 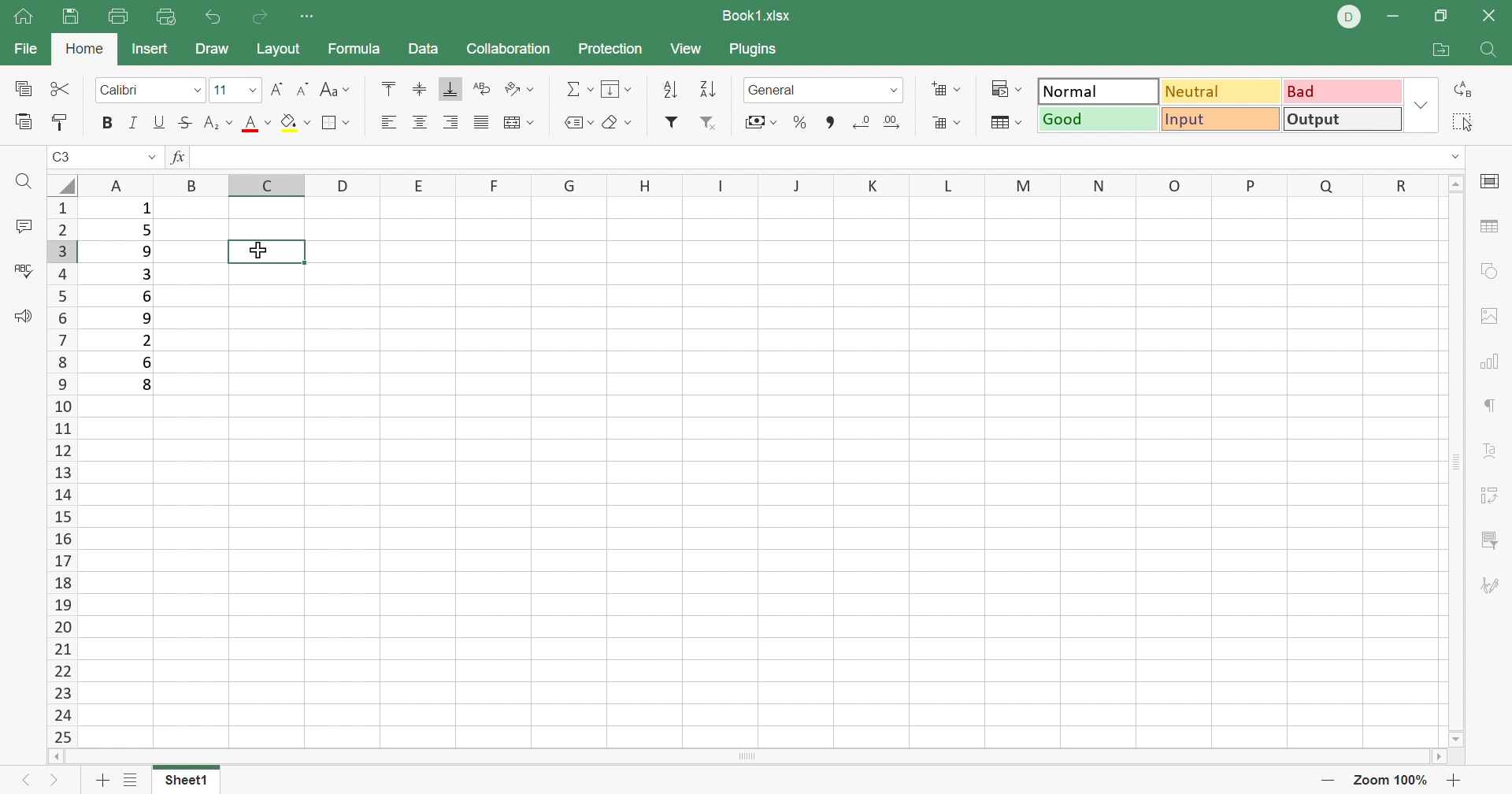 What do you see at coordinates (1421, 106) in the screenshot?
I see `Drop Down` at bounding box center [1421, 106].